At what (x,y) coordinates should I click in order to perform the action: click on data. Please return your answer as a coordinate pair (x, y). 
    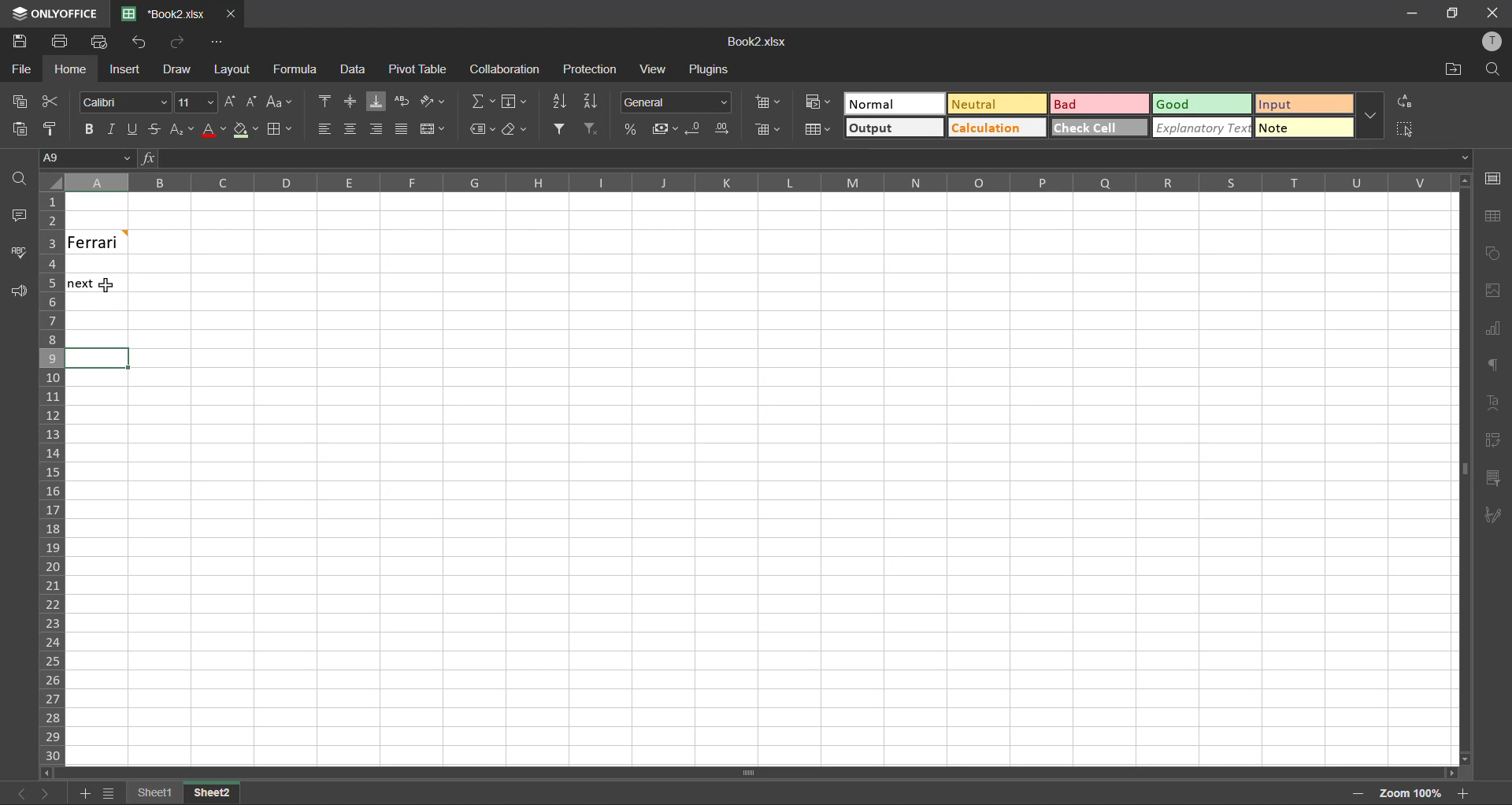
    Looking at the image, I should click on (358, 71).